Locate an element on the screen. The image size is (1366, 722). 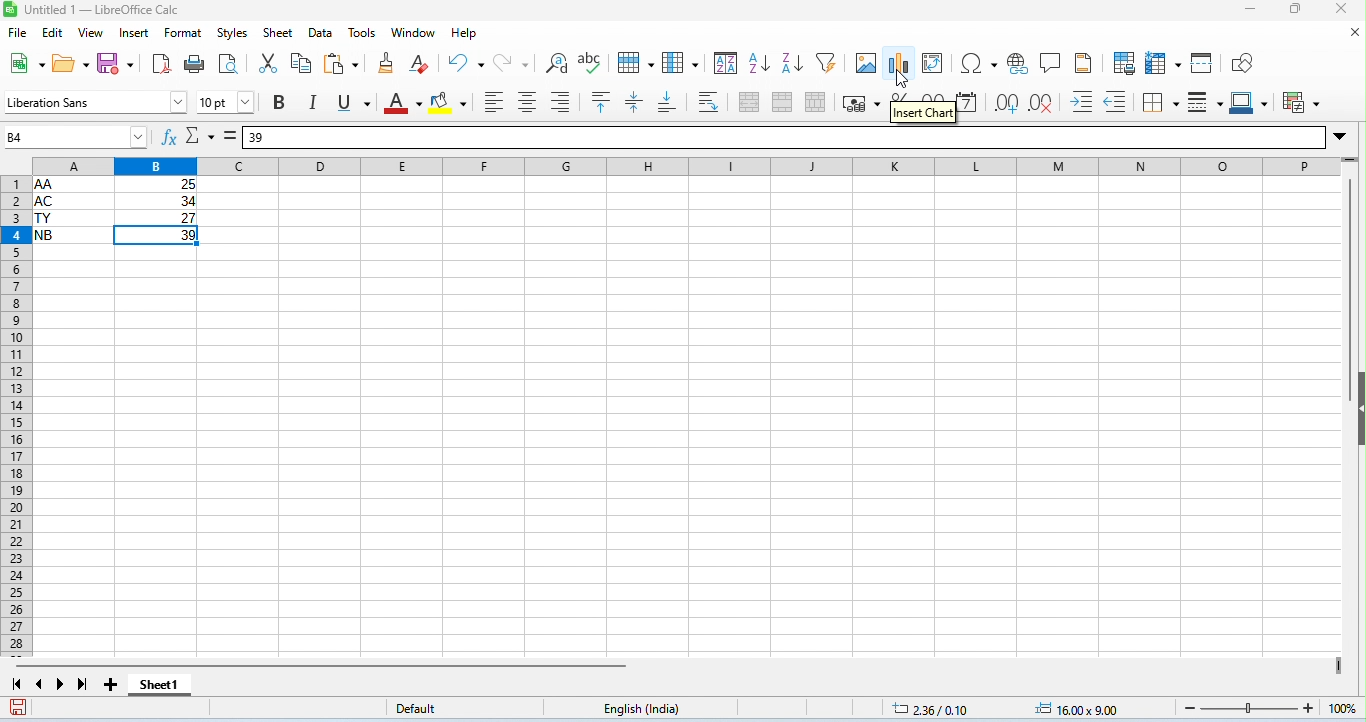
insert hyperlink is located at coordinates (1020, 64).